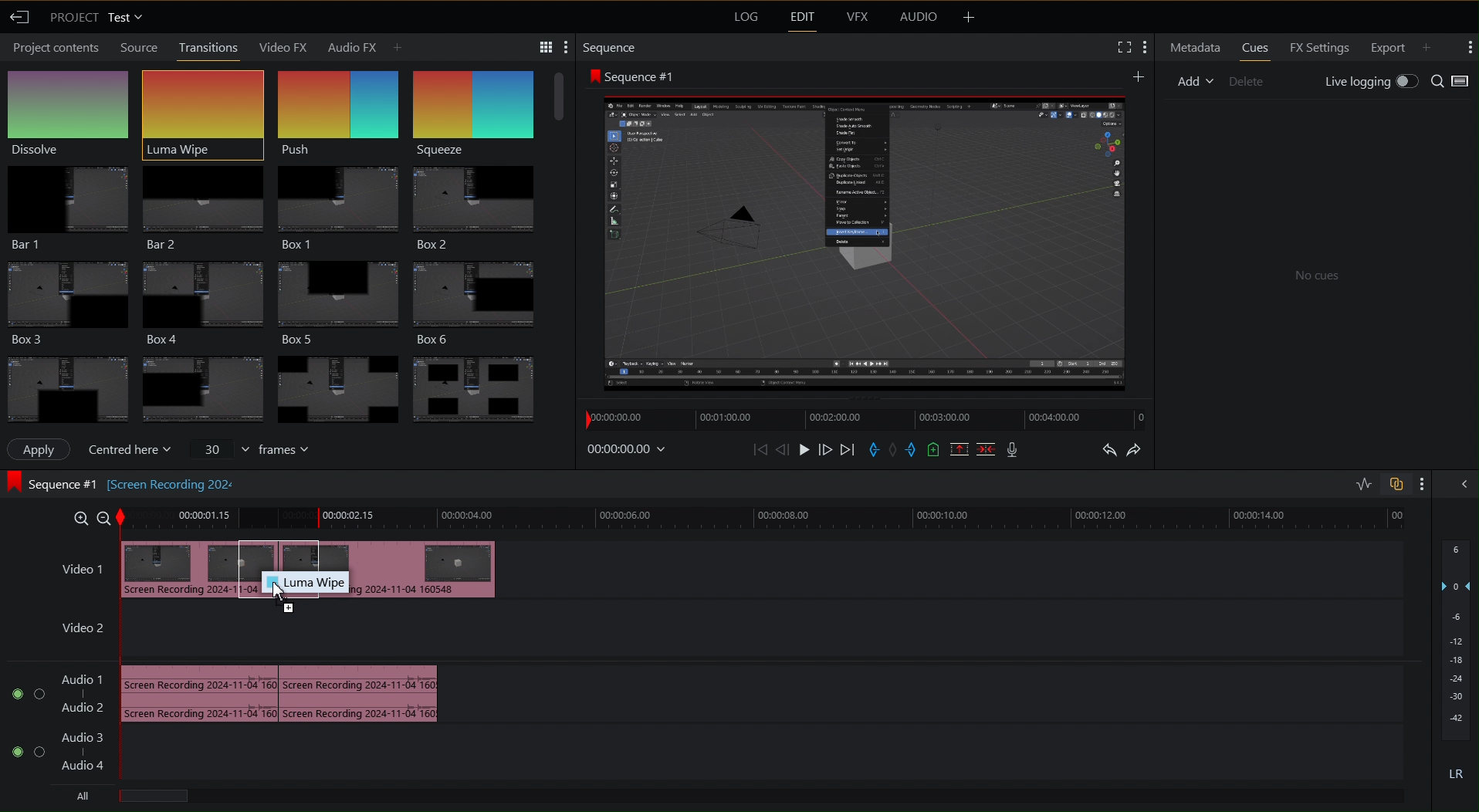  What do you see at coordinates (1139, 75) in the screenshot?
I see `Add` at bounding box center [1139, 75].